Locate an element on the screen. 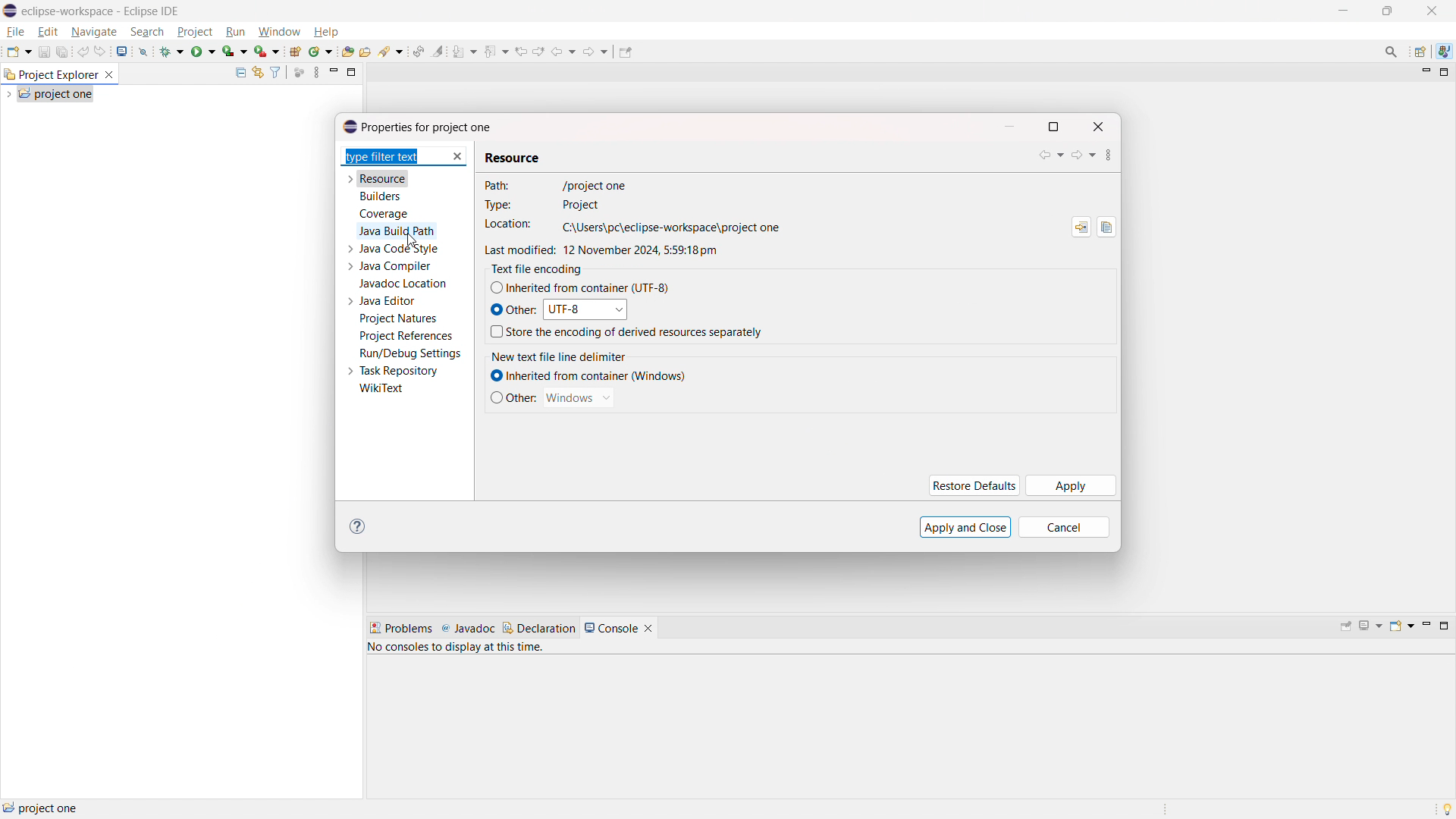 The width and height of the screenshot is (1456, 819). maximize is located at coordinates (1445, 73).